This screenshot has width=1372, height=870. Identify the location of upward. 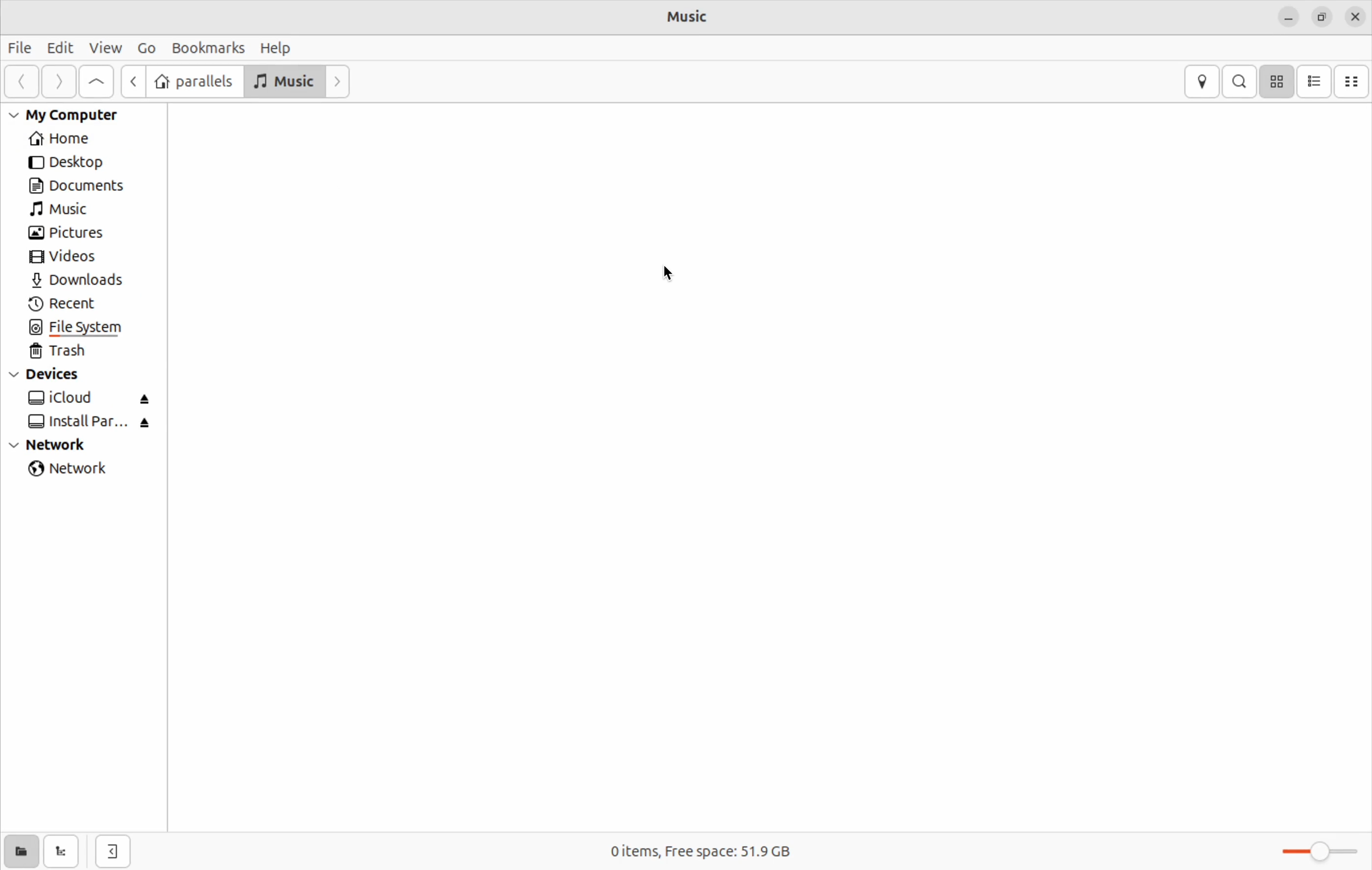
(97, 81).